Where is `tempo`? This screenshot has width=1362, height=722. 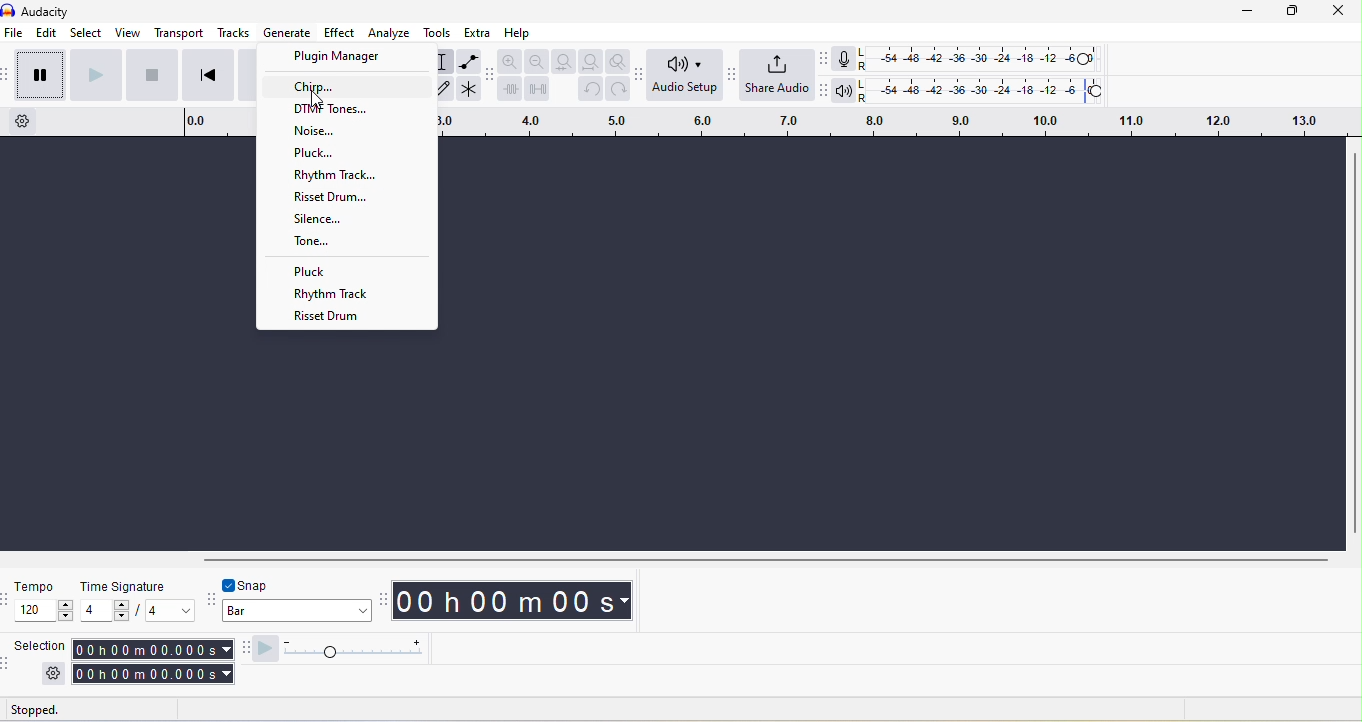
tempo is located at coordinates (35, 586).